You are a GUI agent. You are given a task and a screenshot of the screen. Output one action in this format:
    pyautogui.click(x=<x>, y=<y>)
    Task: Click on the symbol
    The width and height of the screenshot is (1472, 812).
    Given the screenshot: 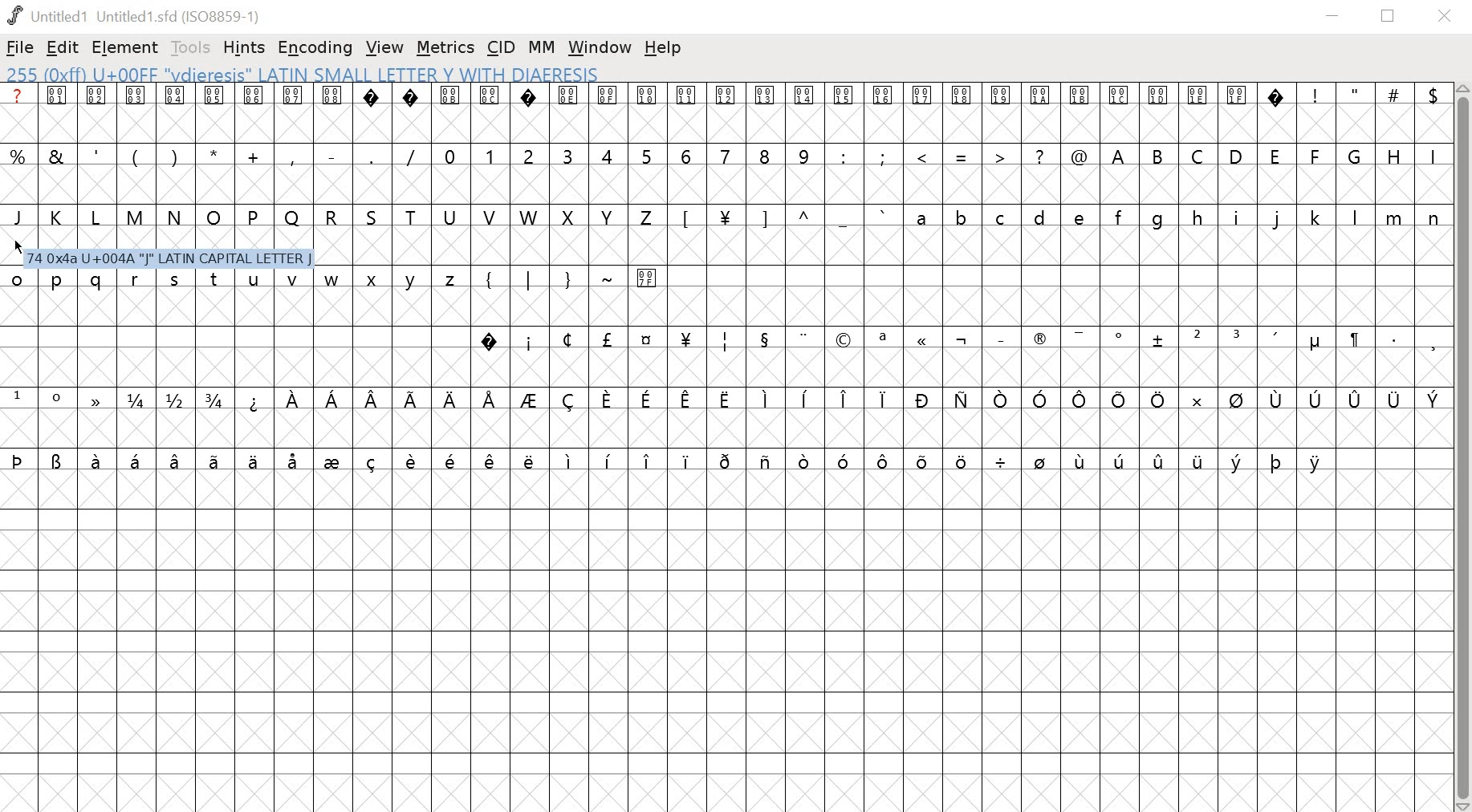 What is the action you would take?
    pyautogui.click(x=93, y=398)
    